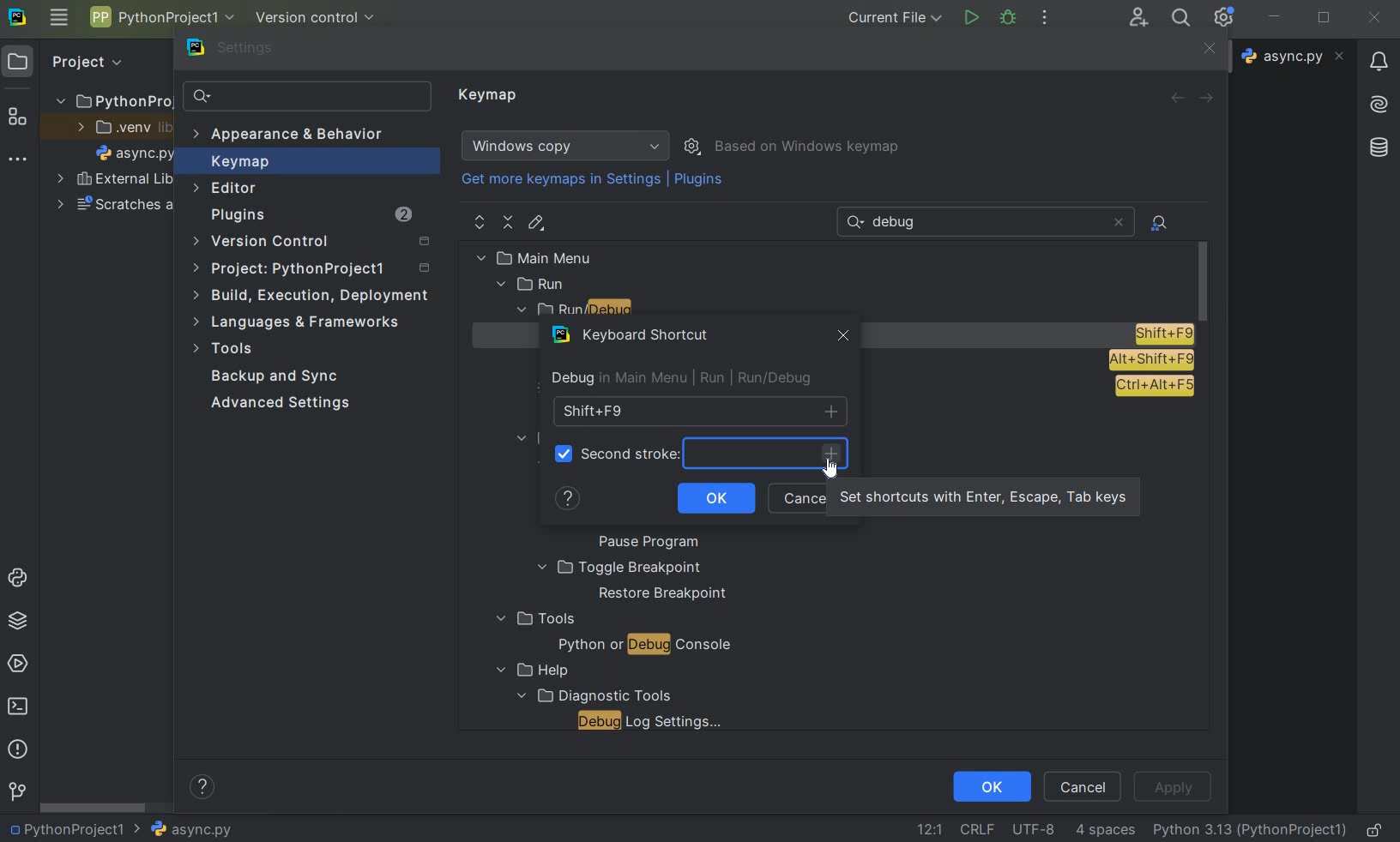 The width and height of the screenshot is (1400, 842). I want to click on make file readable only, so click(1376, 828).